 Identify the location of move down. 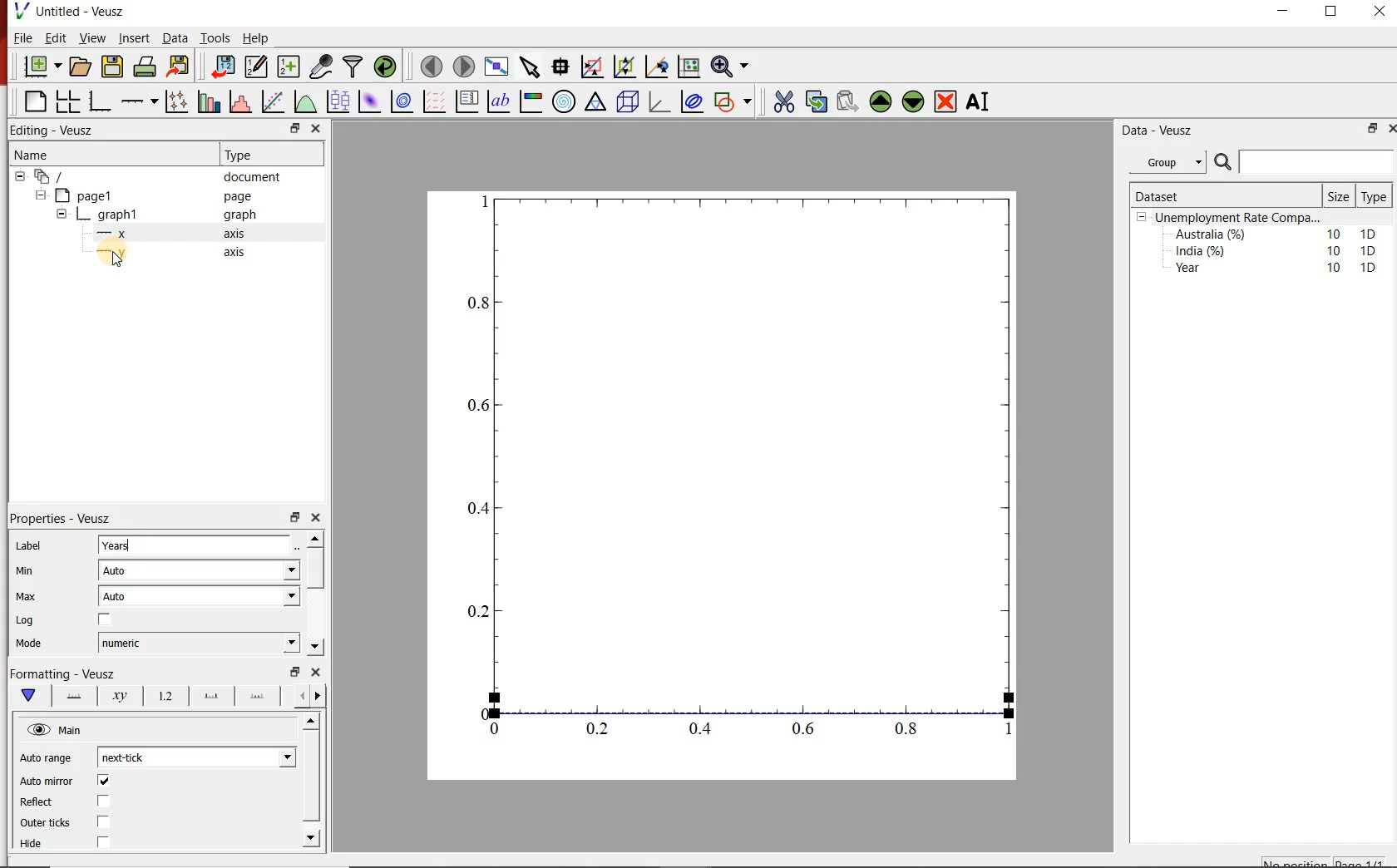
(311, 838).